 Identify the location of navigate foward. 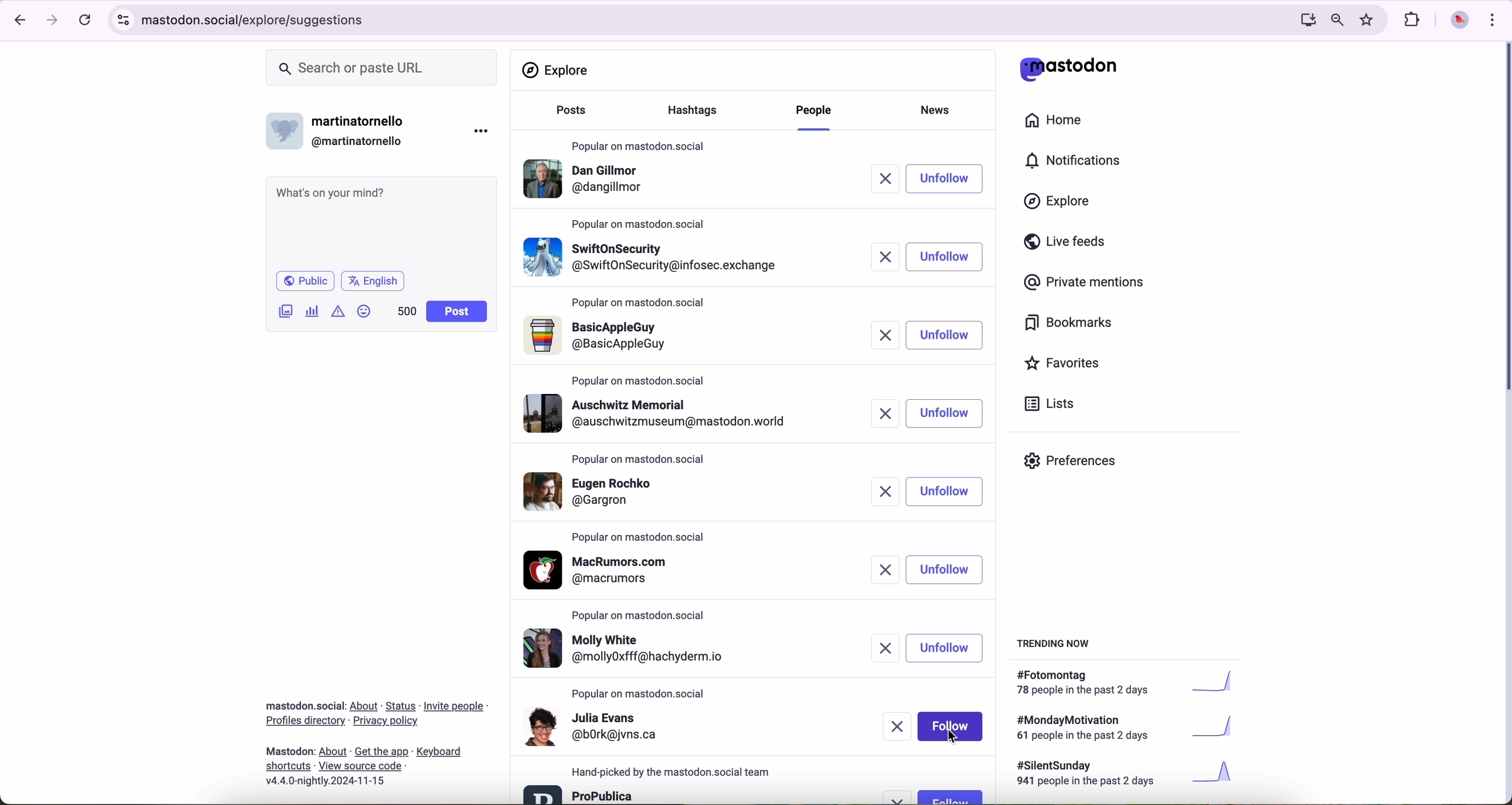
(53, 21).